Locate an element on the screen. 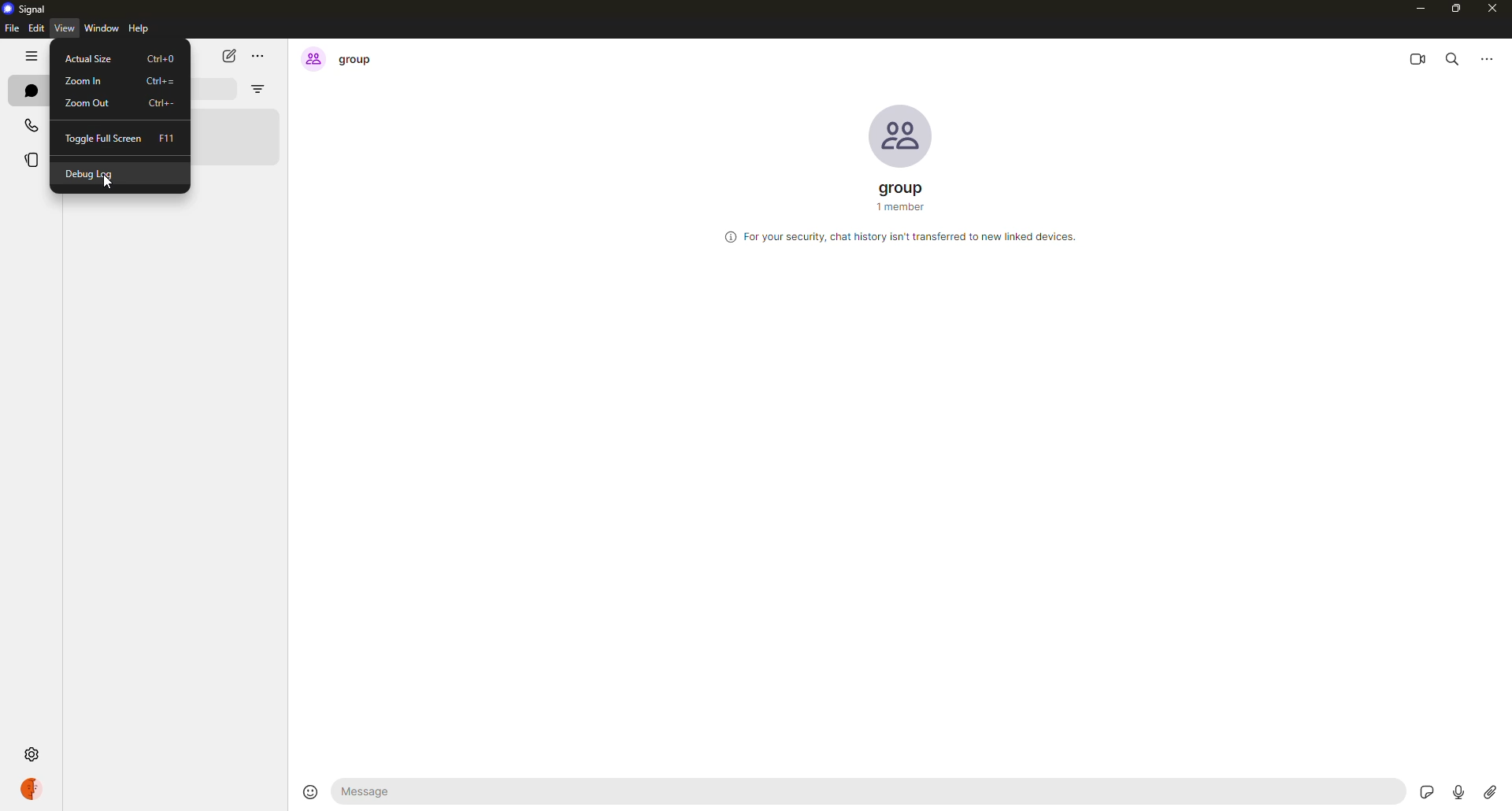 The width and height of the screenshot is (1512, 811). file is located at coordinates (11, 30).